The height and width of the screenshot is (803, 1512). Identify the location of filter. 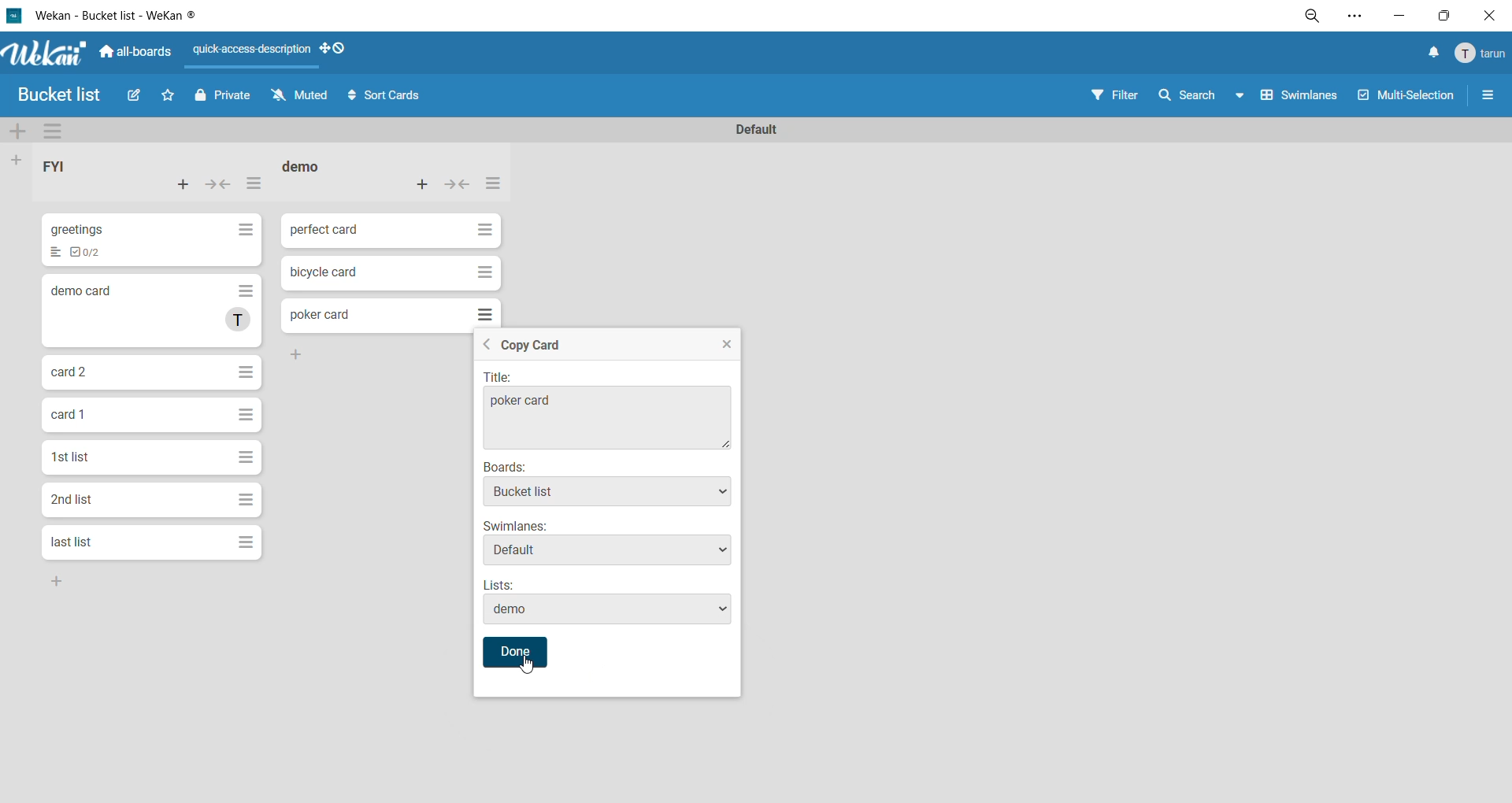
(1119, 94).